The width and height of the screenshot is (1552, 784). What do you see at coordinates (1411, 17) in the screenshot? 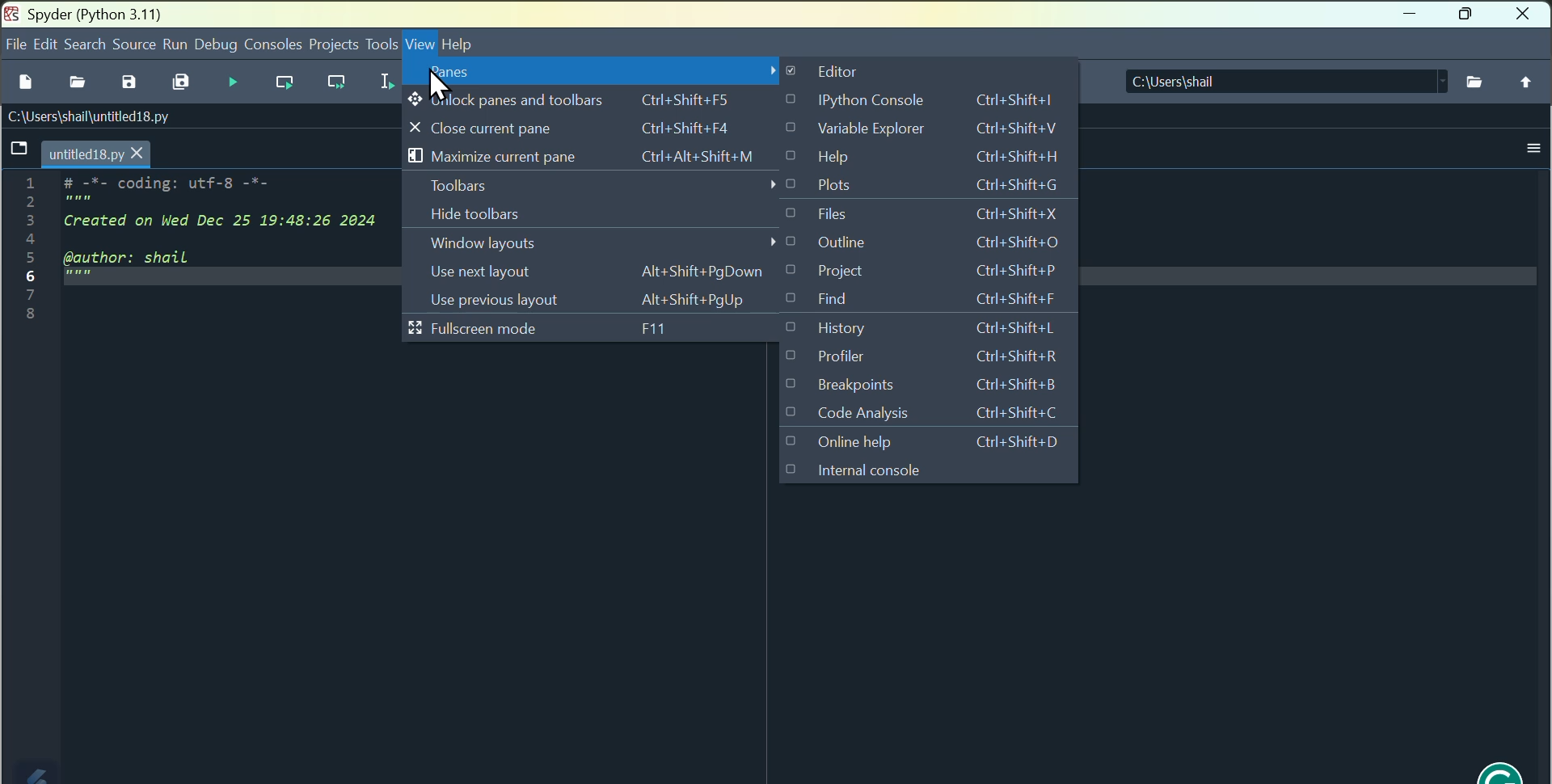
I see `minimise` at bounding box center [1411, 17].